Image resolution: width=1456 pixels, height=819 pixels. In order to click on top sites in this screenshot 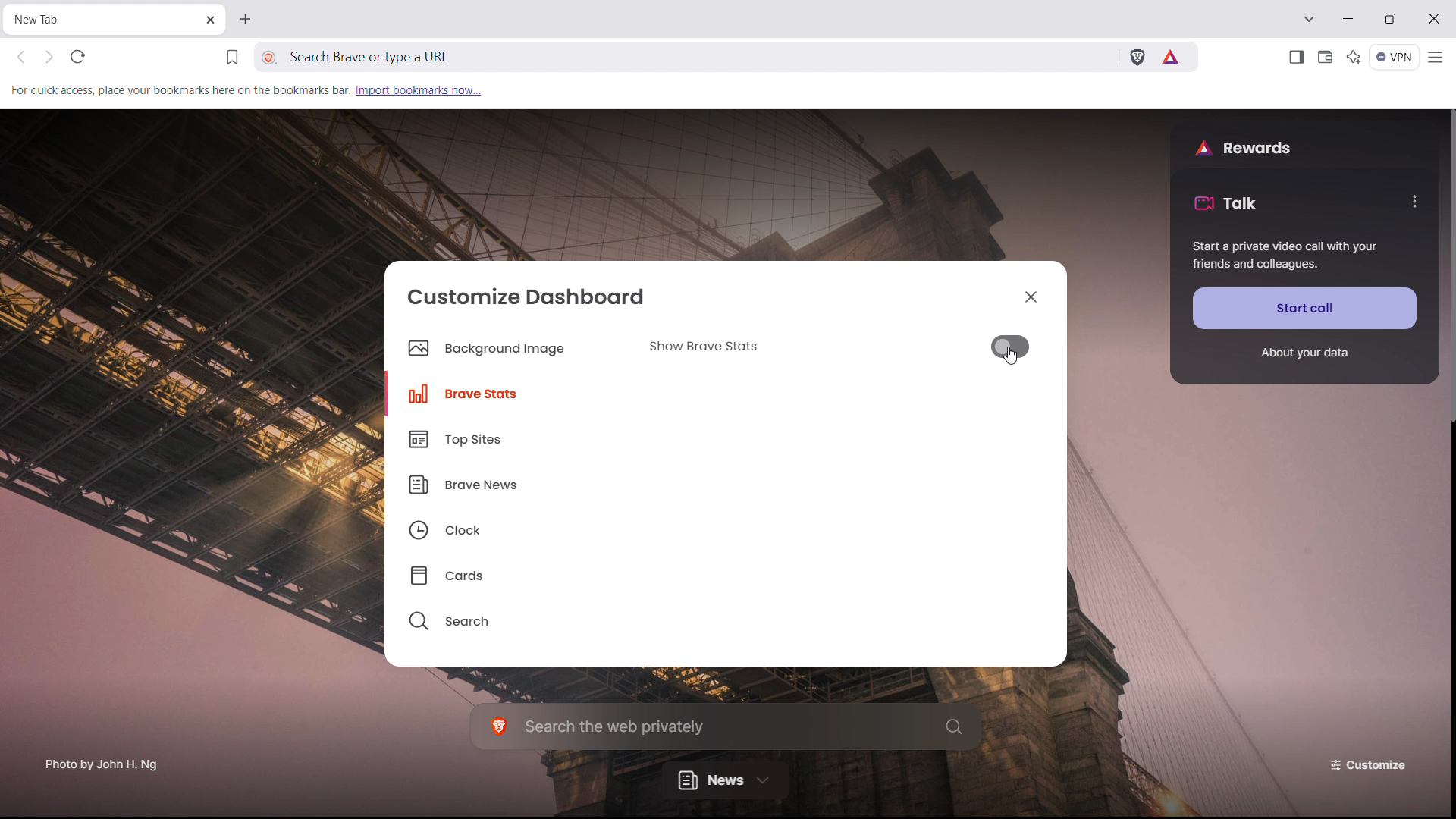, I will do `click(507, 439)`.